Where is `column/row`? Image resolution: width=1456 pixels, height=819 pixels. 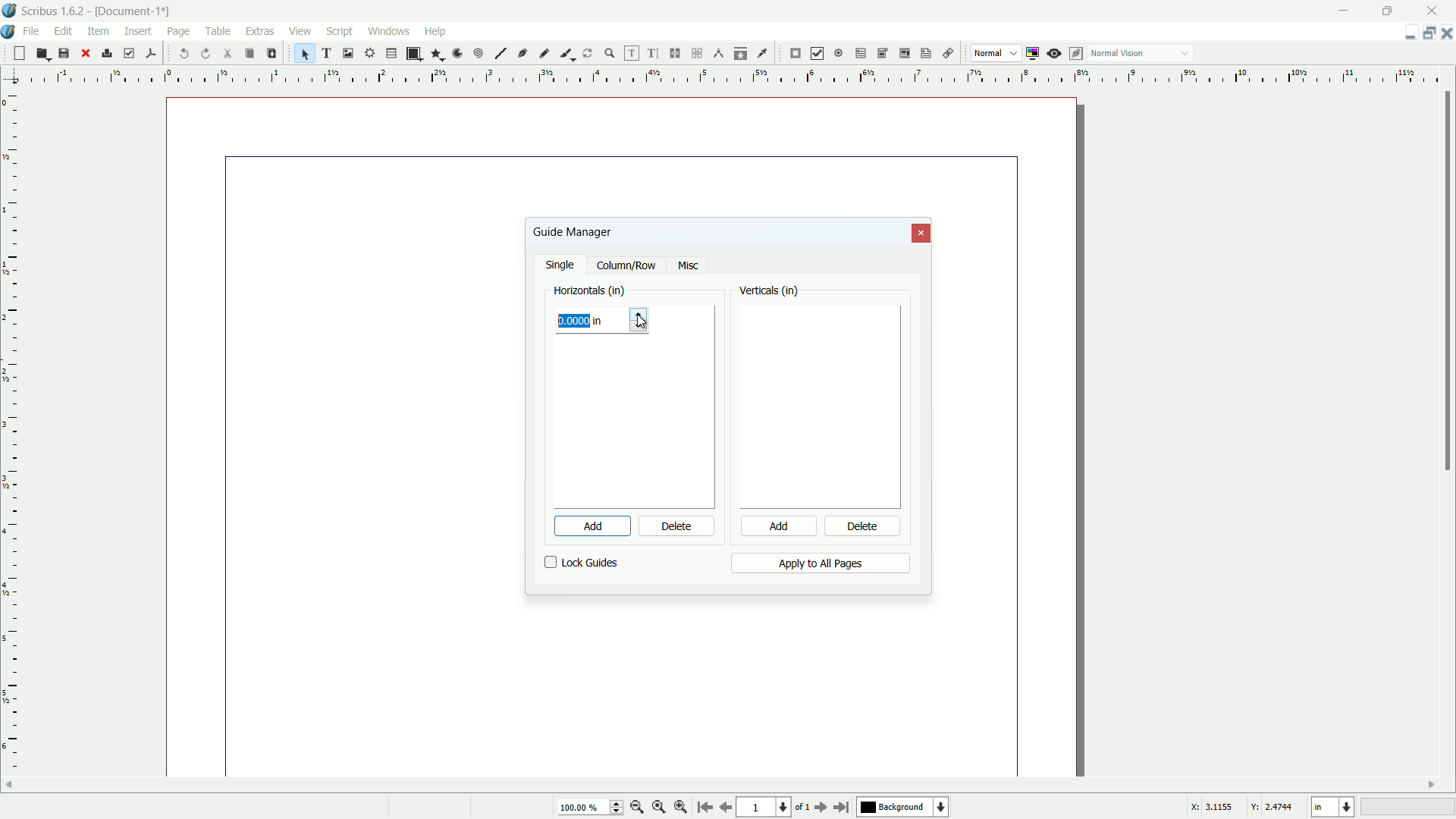 column/row is located at coordinates (626, 266).